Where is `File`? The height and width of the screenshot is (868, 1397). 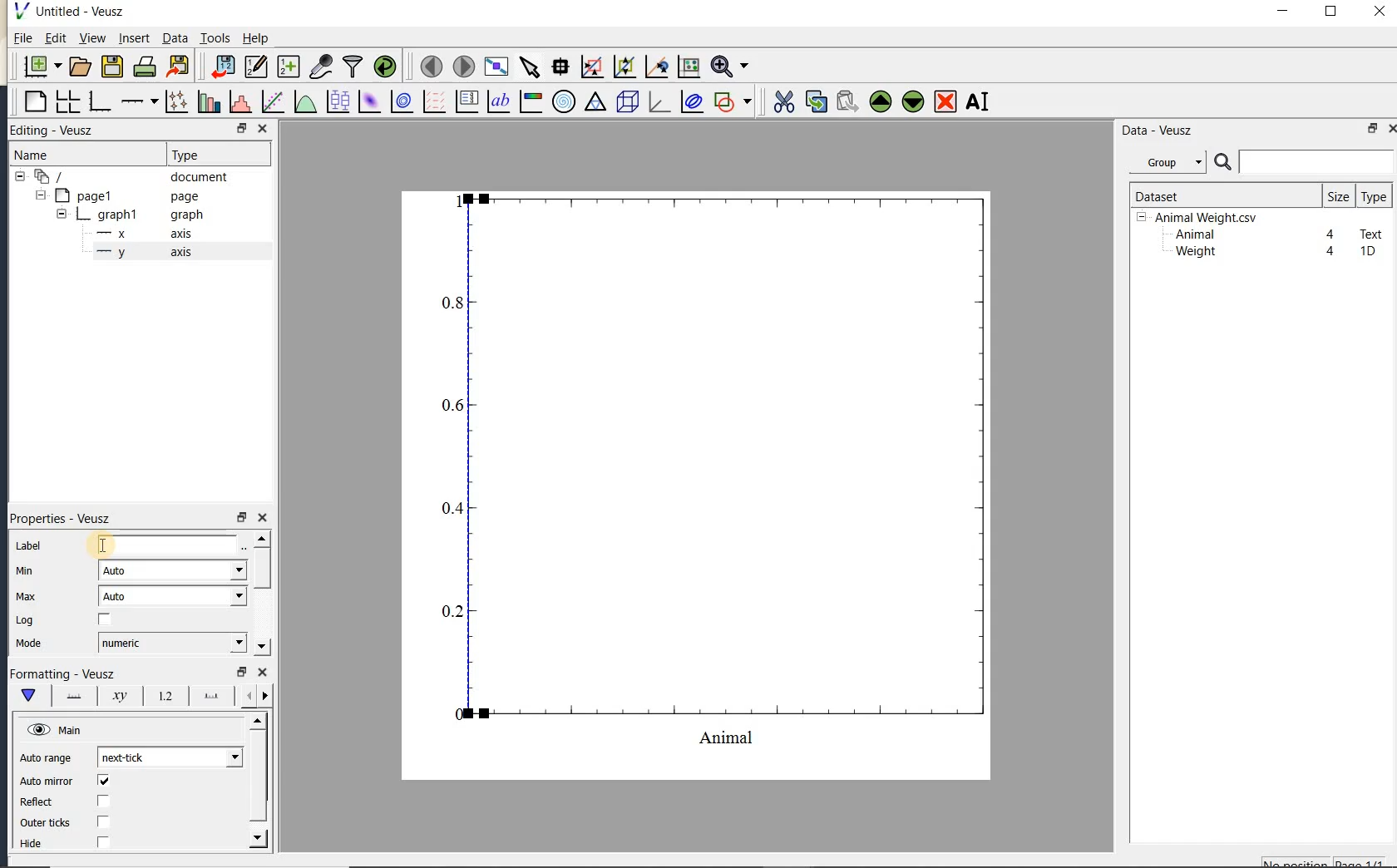 File is located at coordinates (23, 38).